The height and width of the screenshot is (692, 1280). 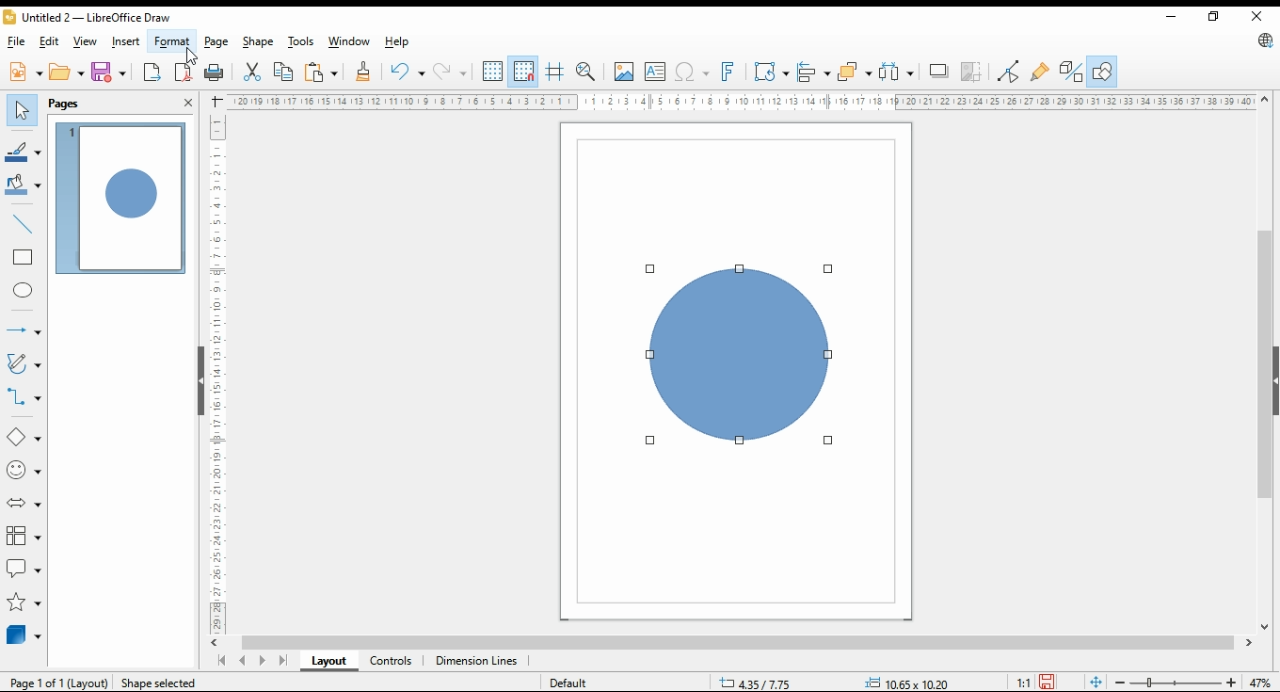 I want to click on edit, so click(x=49, y=41).